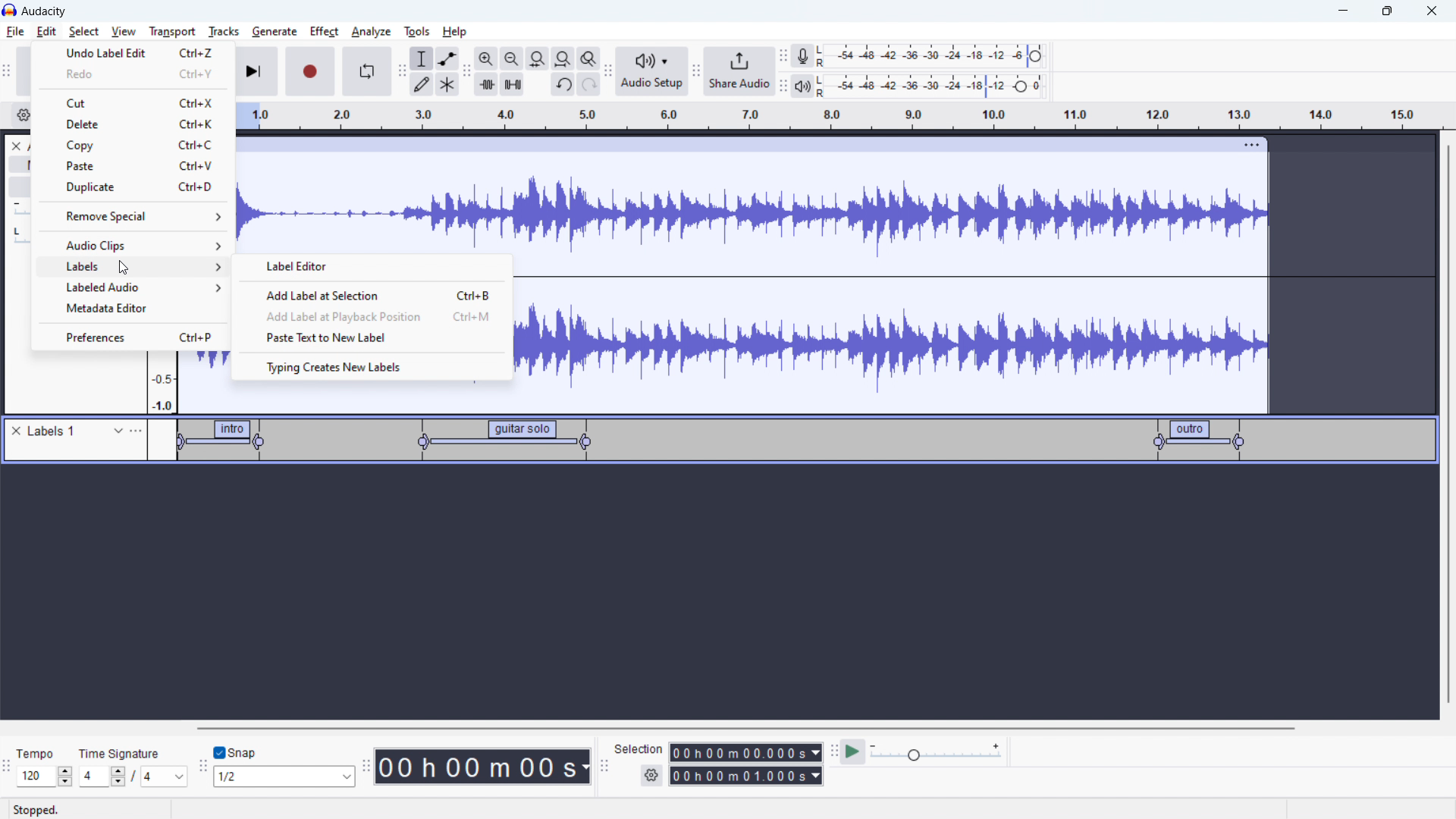 The width and height of the screenshot is (1456, 819). What do you see at coordinates (83, 31) in the screenshot?
I see `select` at bounding box center [83, 31].